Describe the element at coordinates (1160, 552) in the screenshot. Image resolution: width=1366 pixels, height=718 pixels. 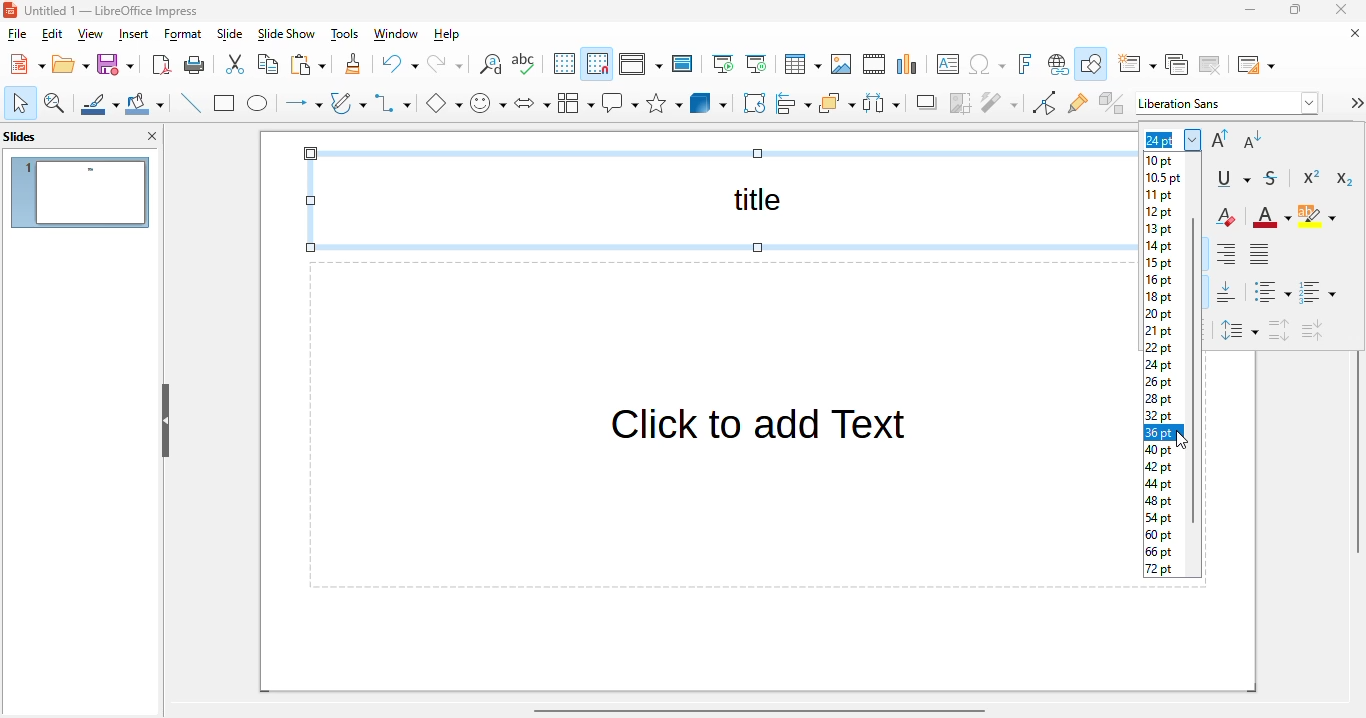
I see `66 pt` at that location.